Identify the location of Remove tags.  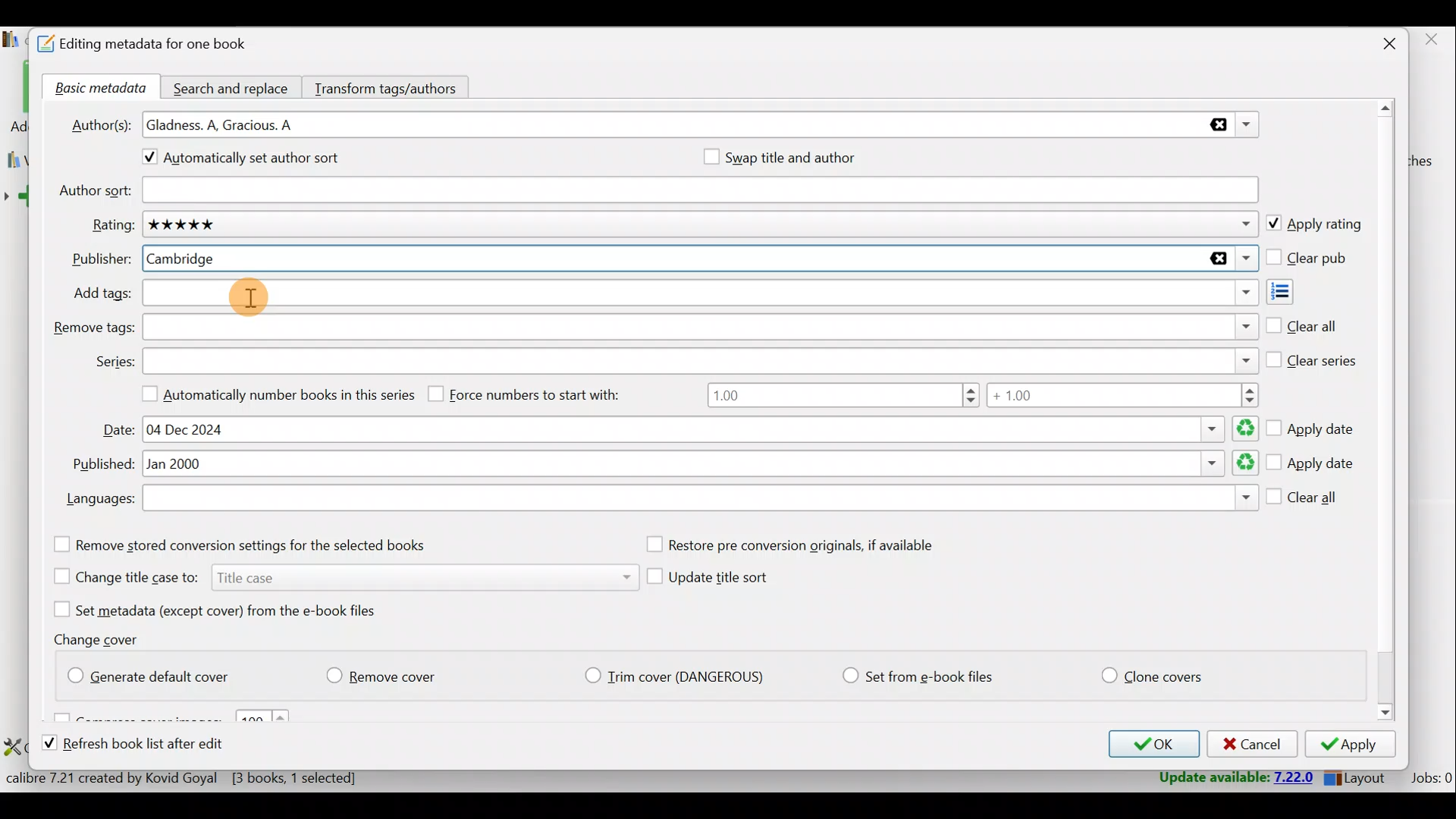
(698, 327).